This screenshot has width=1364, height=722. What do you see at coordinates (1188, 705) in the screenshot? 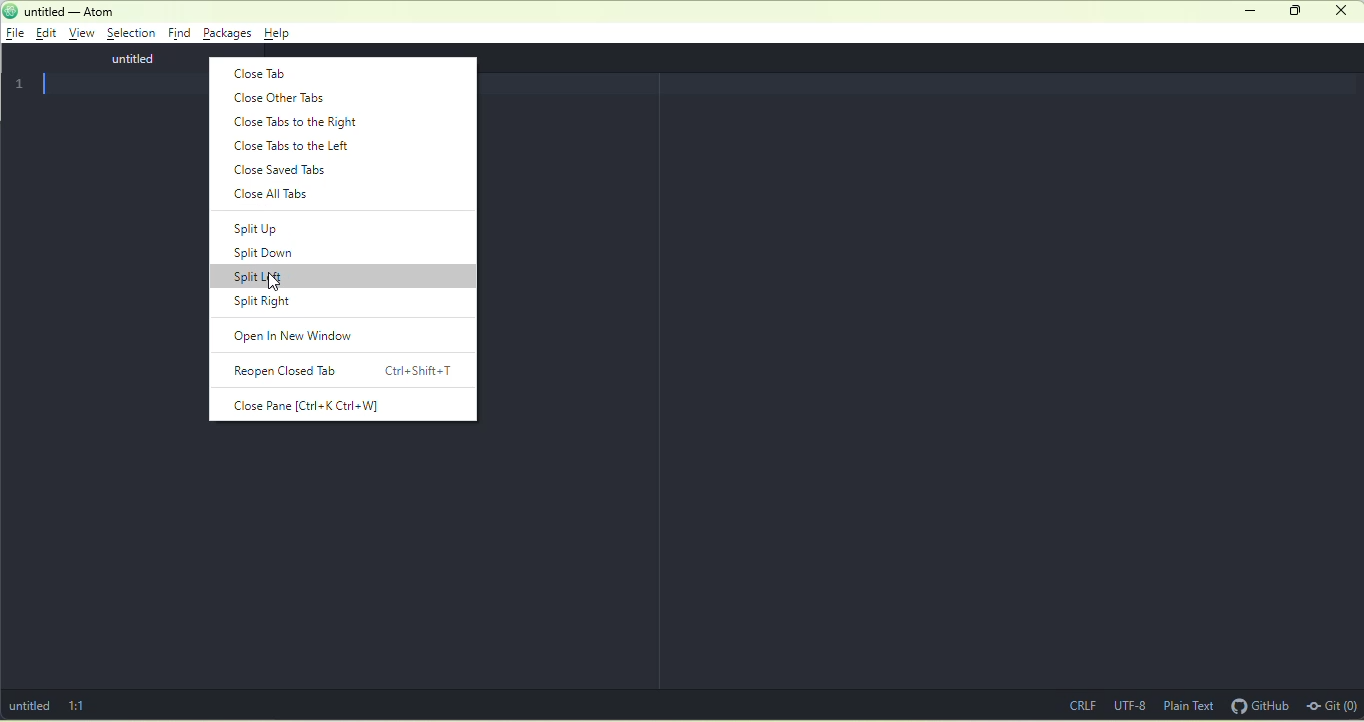
I see `plain text` at bounding box center [1188, 705].